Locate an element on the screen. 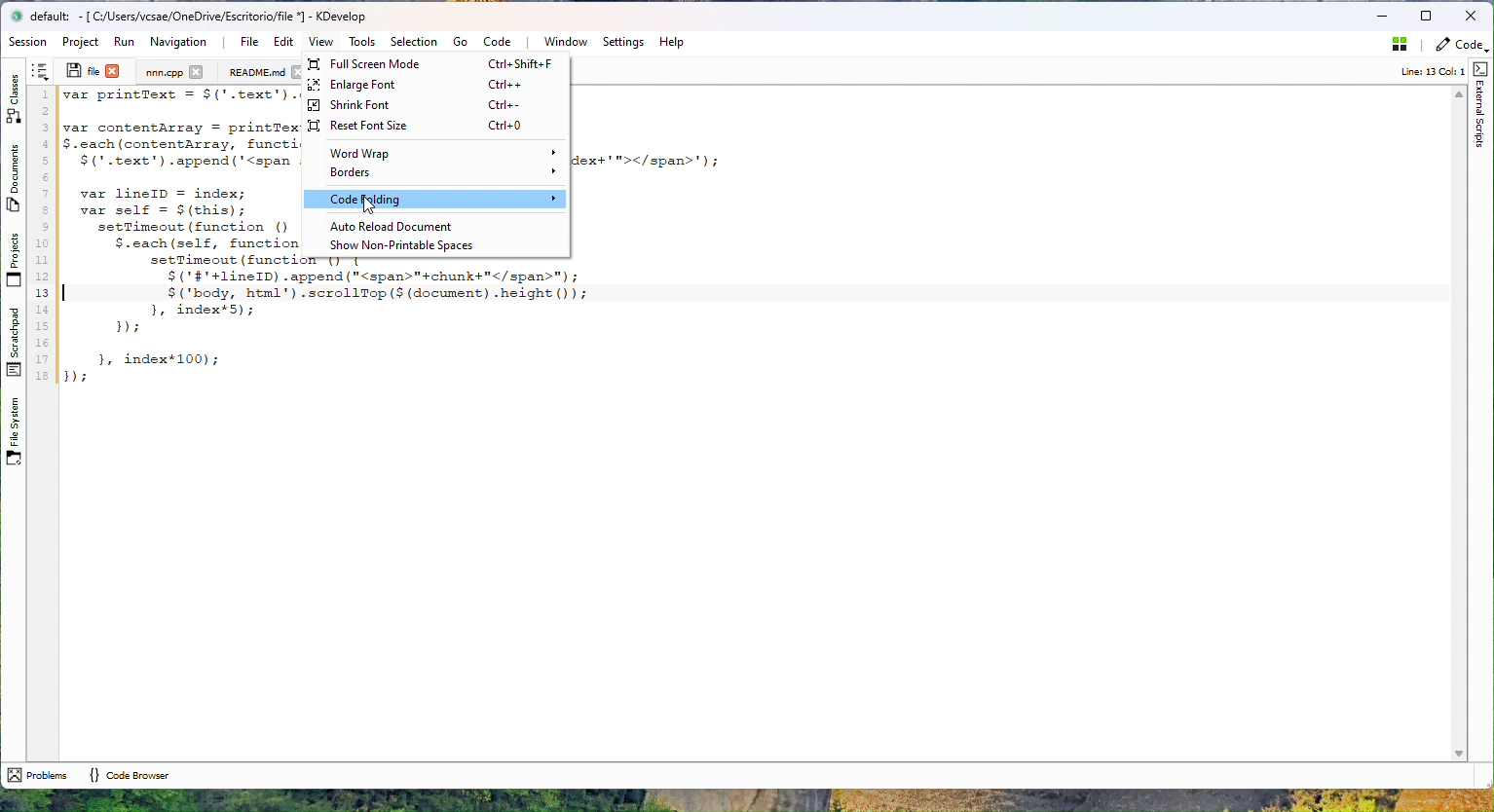 The image size is (1494, 812). code is located at coordinates (1460, 48).